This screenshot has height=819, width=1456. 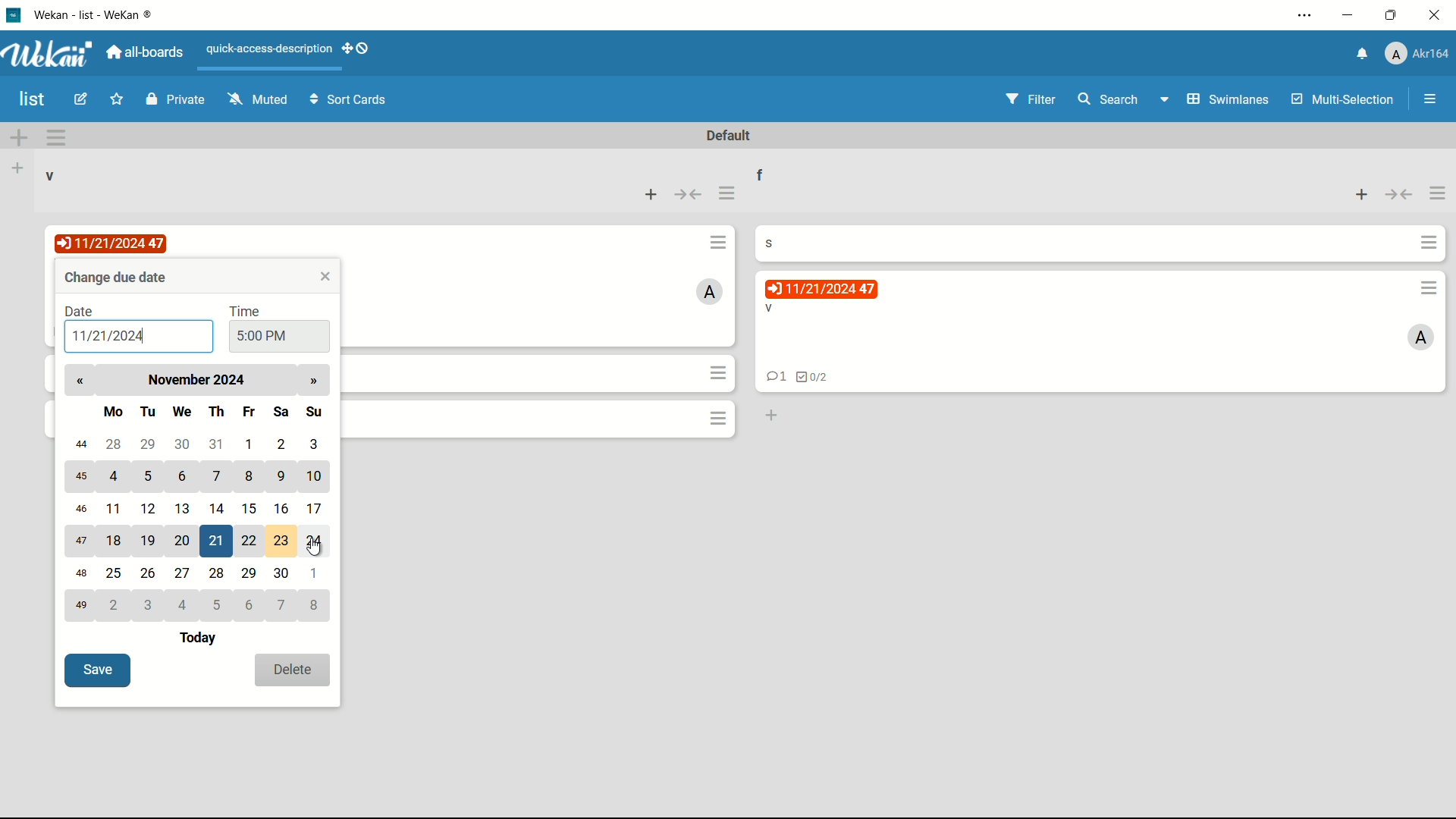 What do you see at coordinates (115, 542) in the screenshot?
I see `18` at bounding box center [115, 542].